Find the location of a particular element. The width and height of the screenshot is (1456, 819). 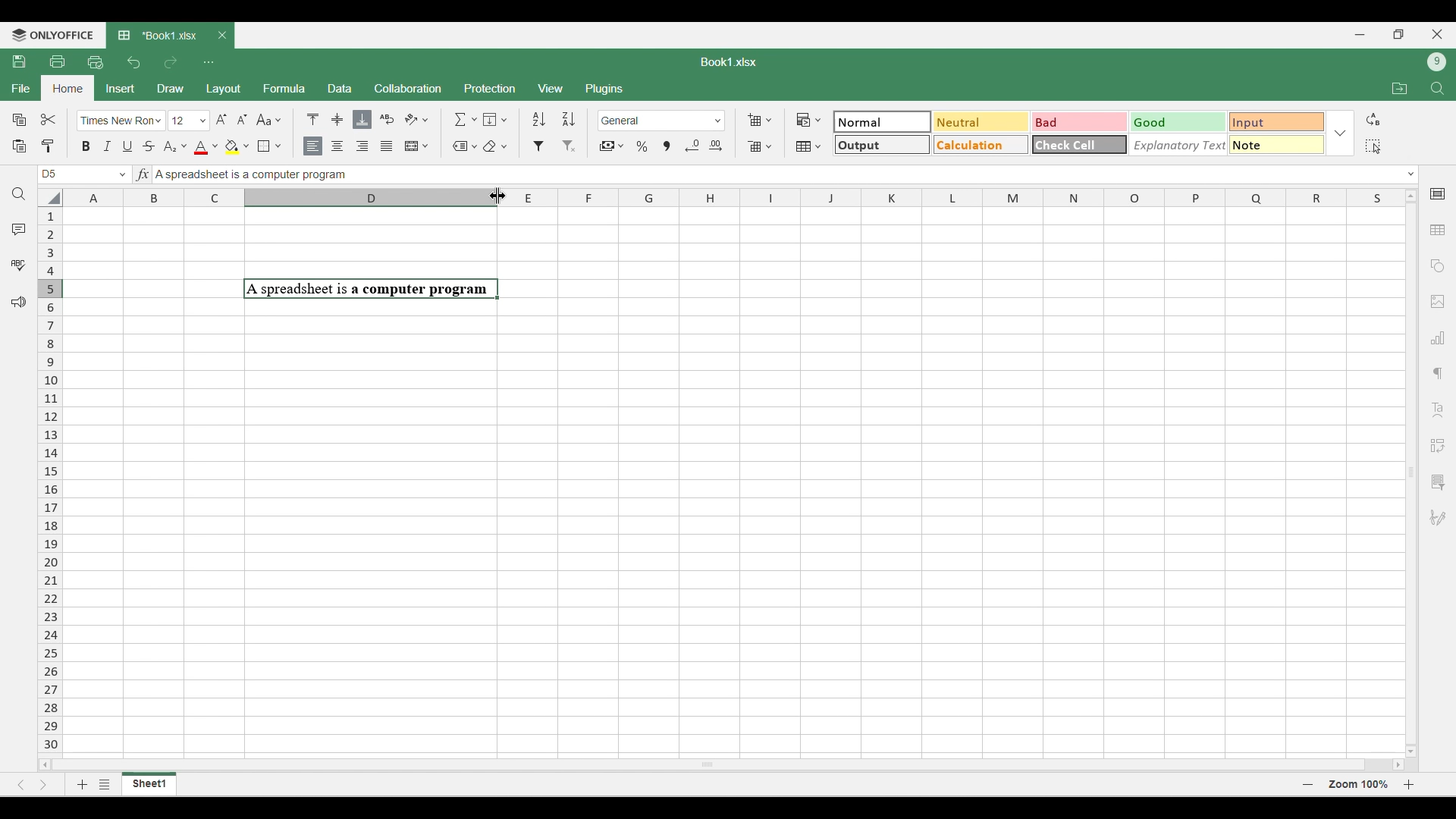

Search is located at coordinates (20, 194).